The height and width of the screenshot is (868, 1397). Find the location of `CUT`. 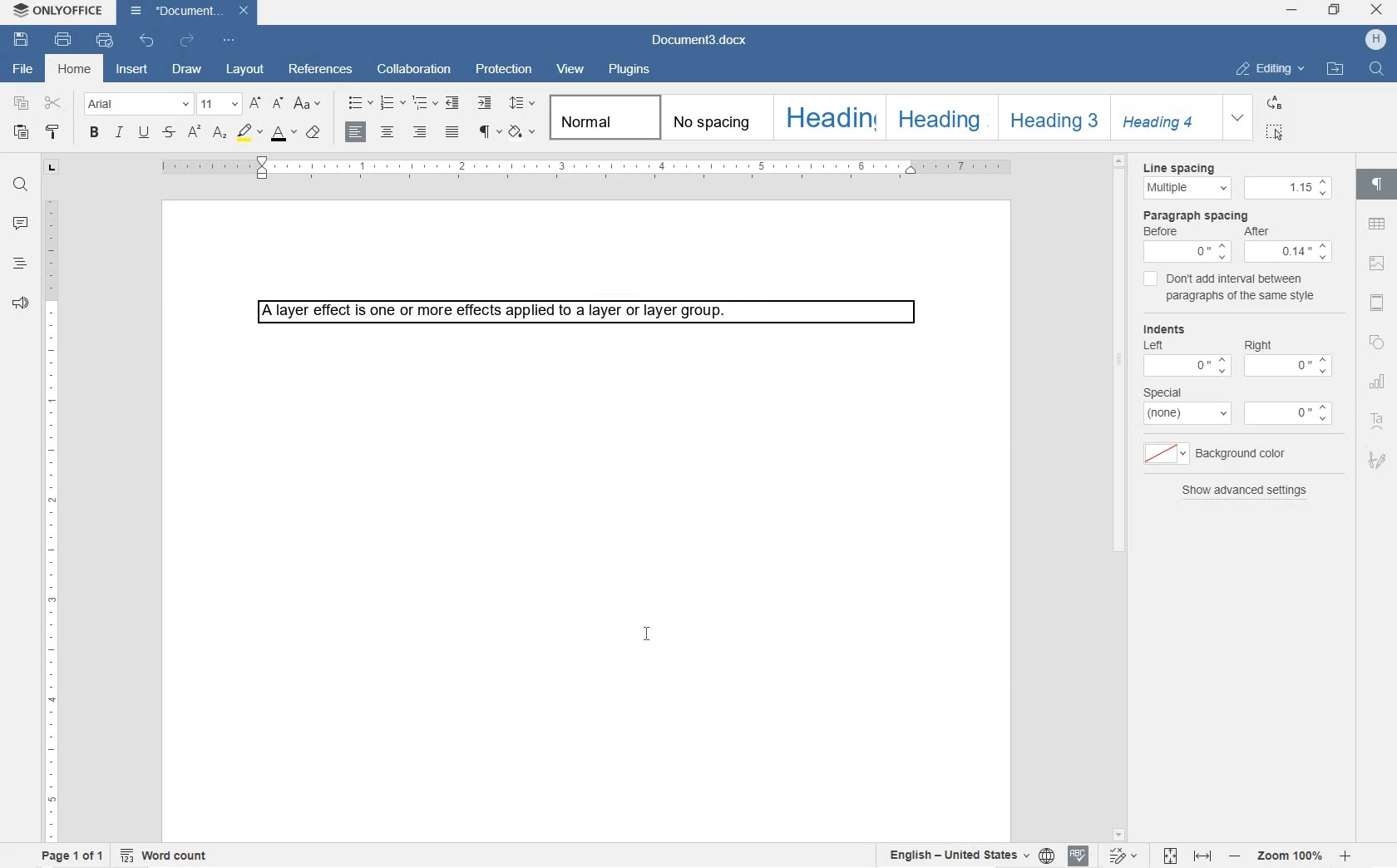

CUT is located at coordinates (56, 105).